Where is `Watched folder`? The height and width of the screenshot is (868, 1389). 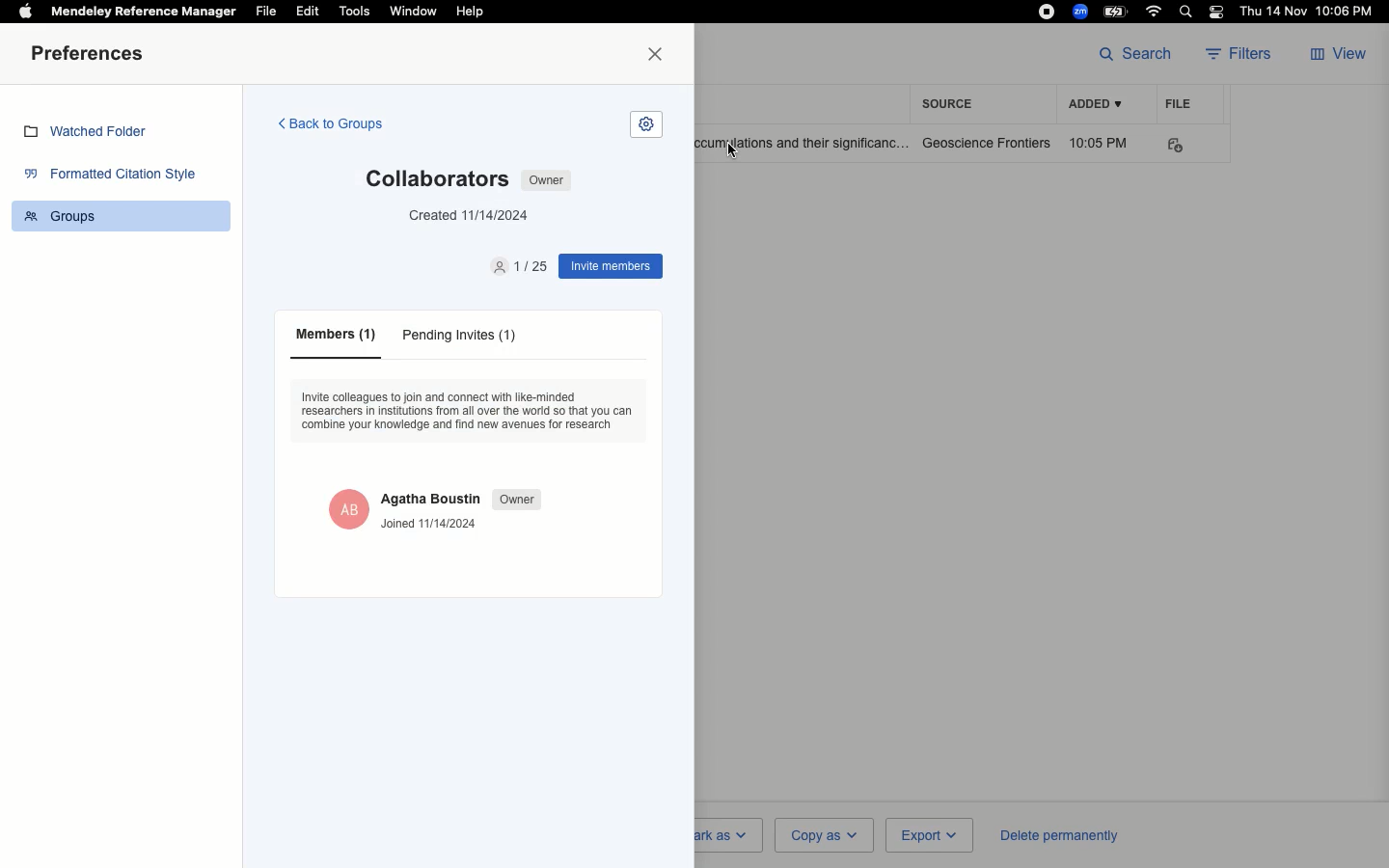 Watched folder is located at coordinates (92, 132).